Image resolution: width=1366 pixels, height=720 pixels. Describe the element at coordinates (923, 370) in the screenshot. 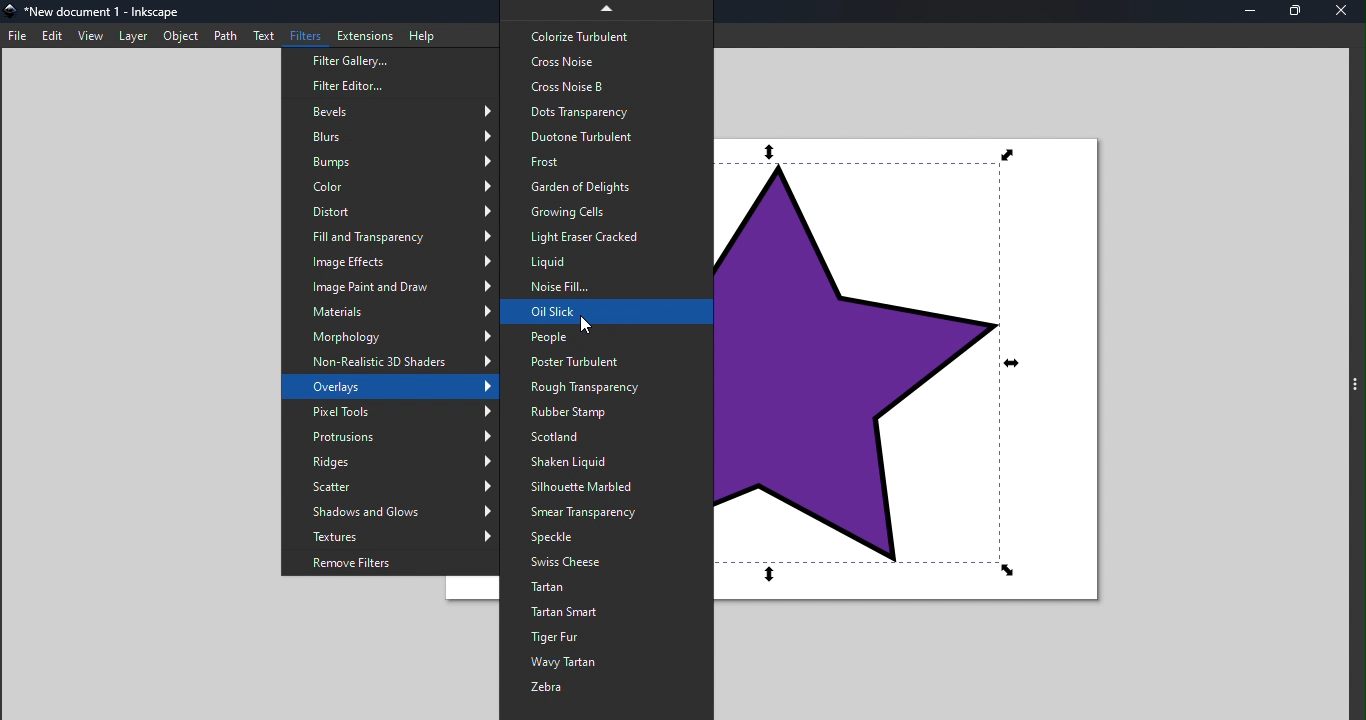

I see `Canvas` at that location.